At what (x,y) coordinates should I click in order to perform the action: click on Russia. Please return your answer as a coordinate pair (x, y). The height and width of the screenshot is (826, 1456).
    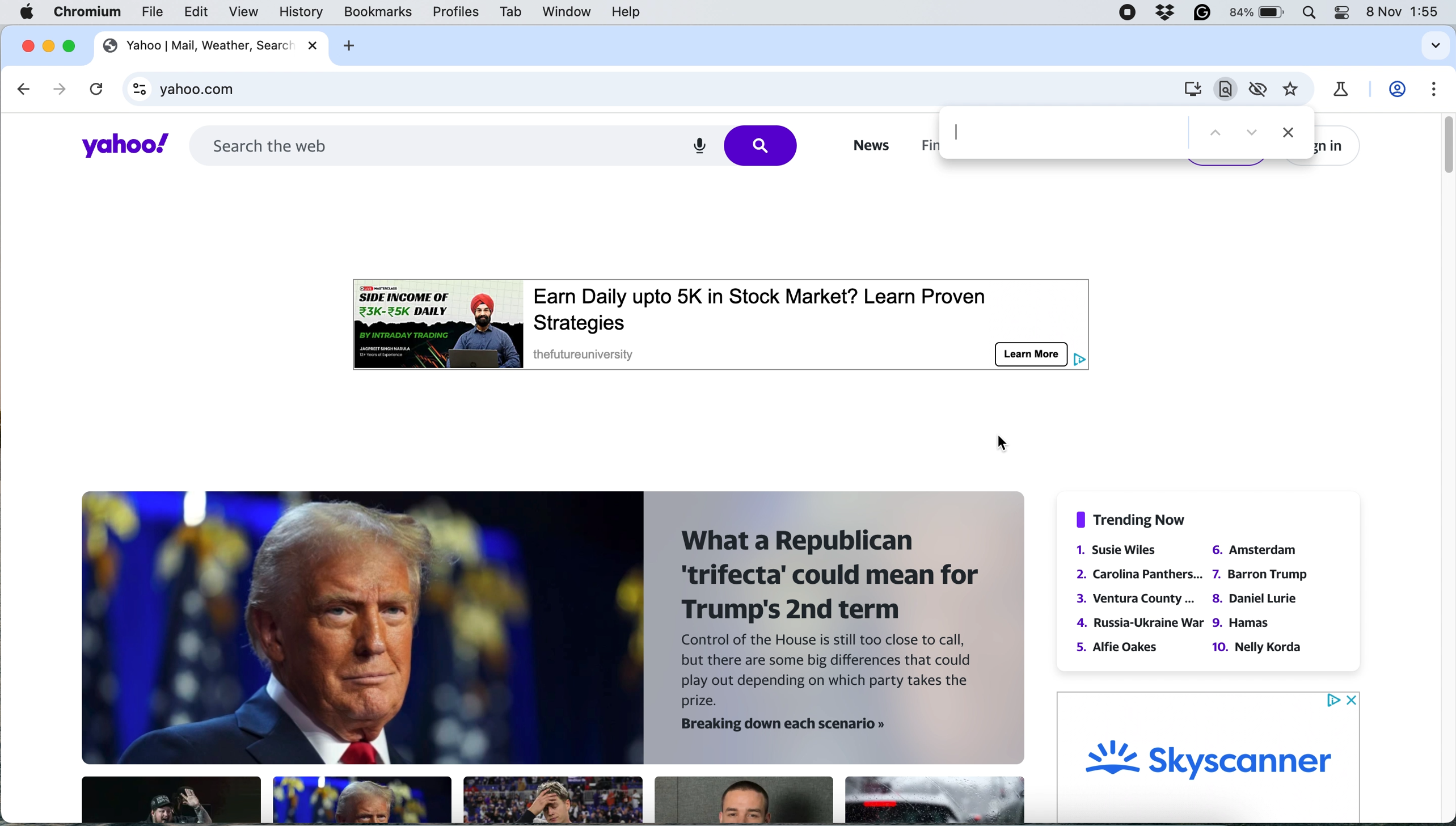
    Looking at the image, I should click on (1139, 622).